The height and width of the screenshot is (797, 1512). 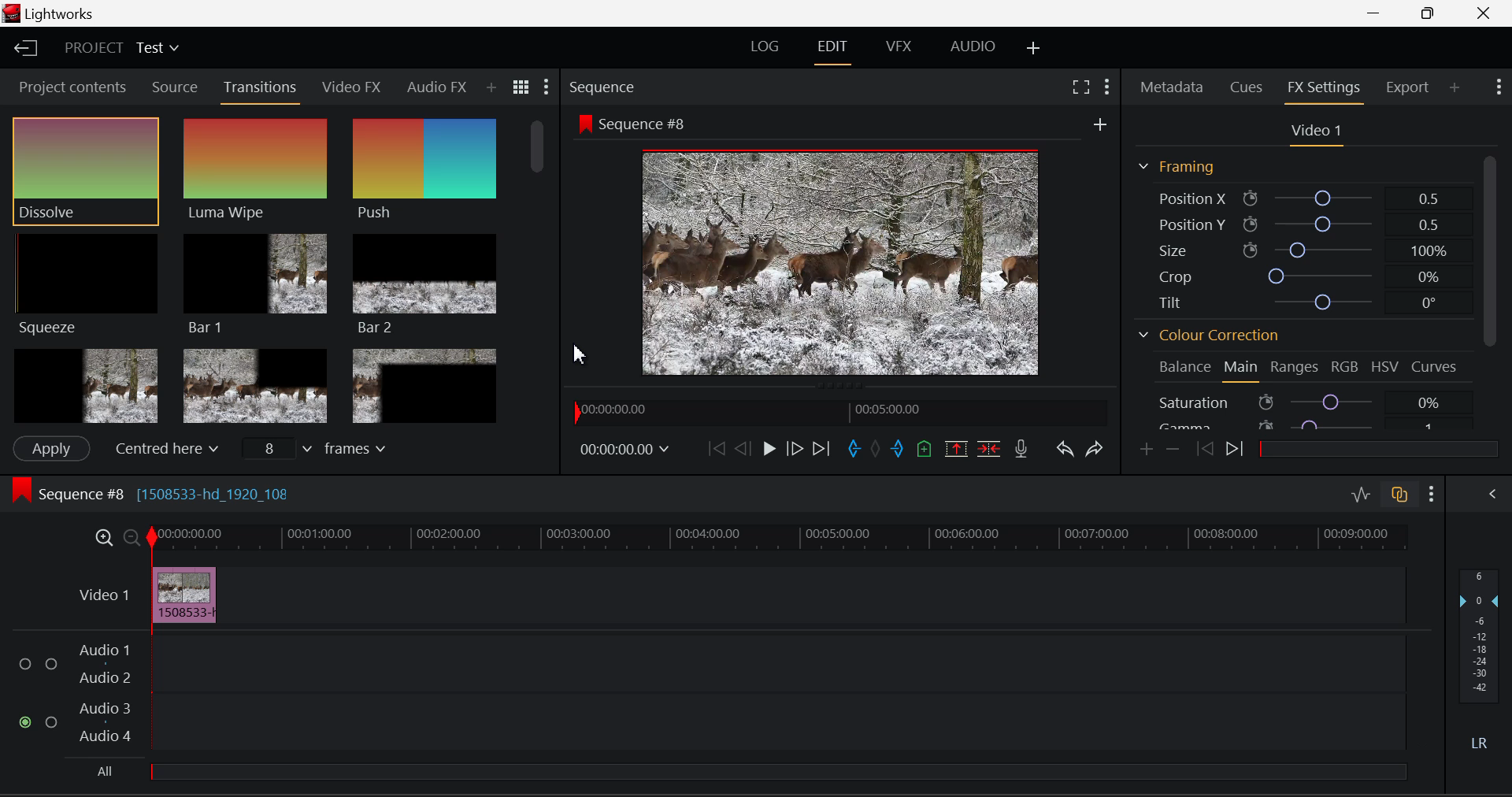 What do you see at coordinates (1430, 13) in the screenshot?
I see `Minimize` at bounding box center [1430, 13].